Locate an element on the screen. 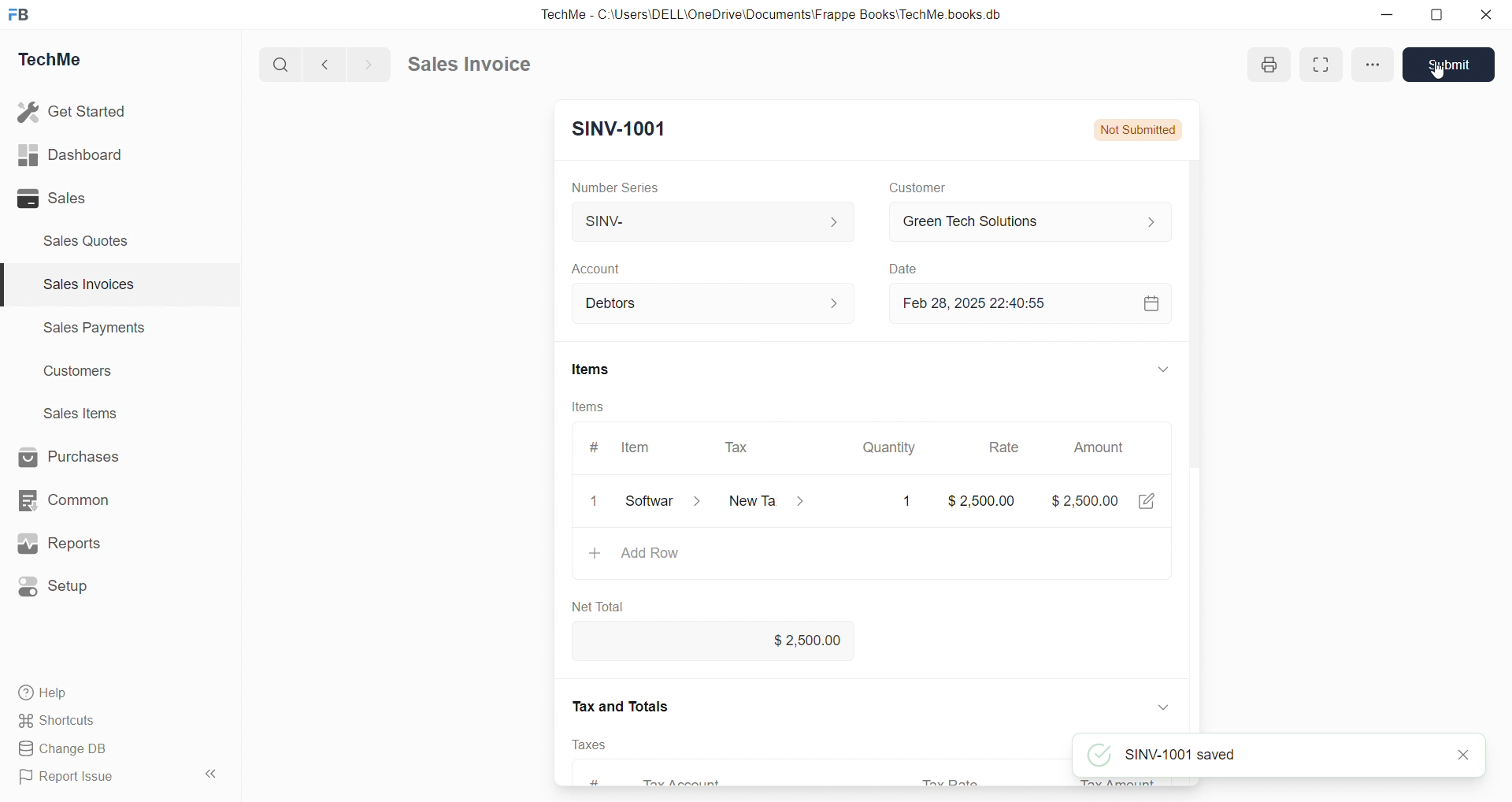 This screenshot has height=802, width=1512. Customer is located at coordinates (918, 188).